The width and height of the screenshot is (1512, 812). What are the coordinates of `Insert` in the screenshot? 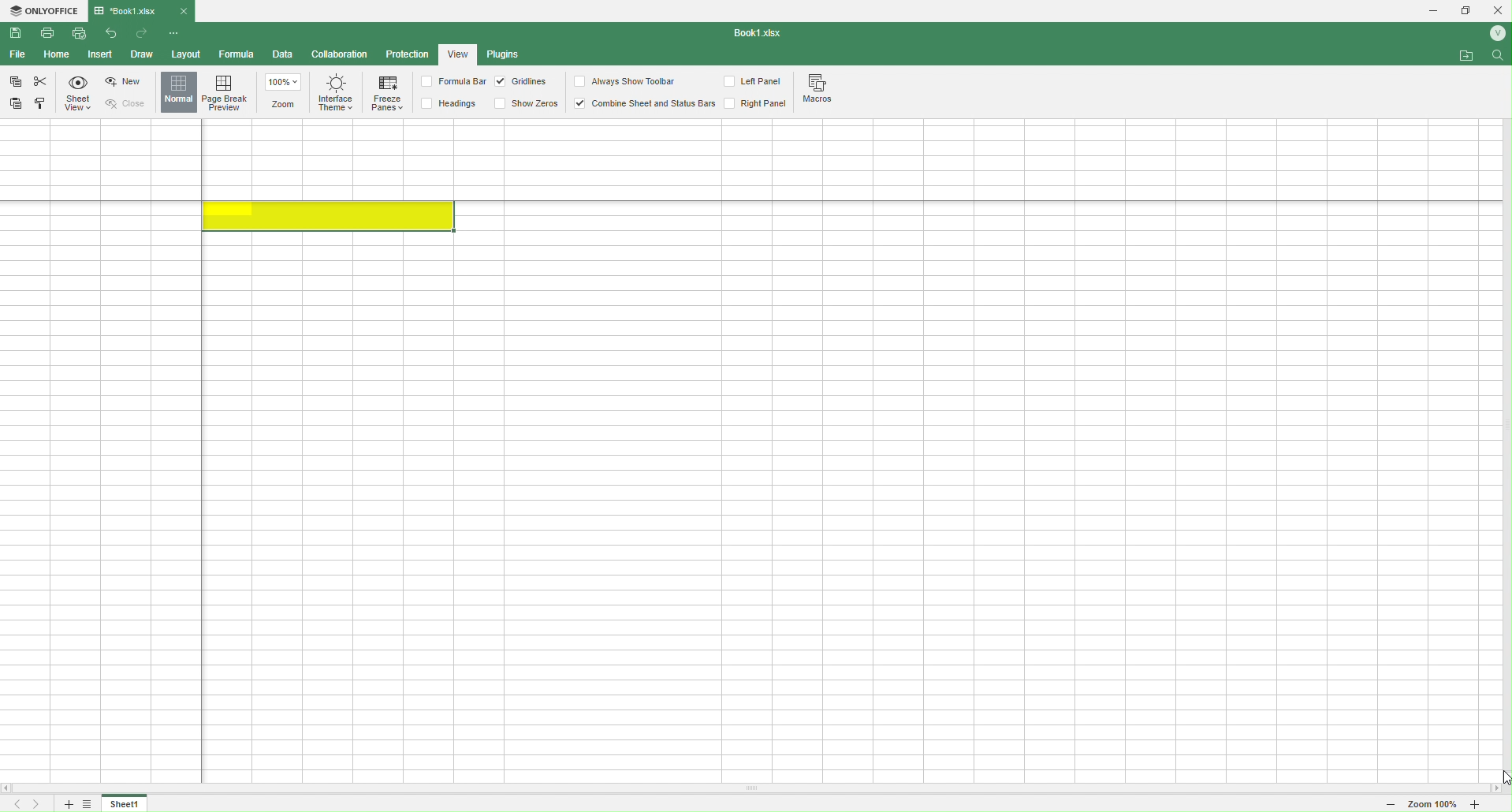 It's located at (99, 55).